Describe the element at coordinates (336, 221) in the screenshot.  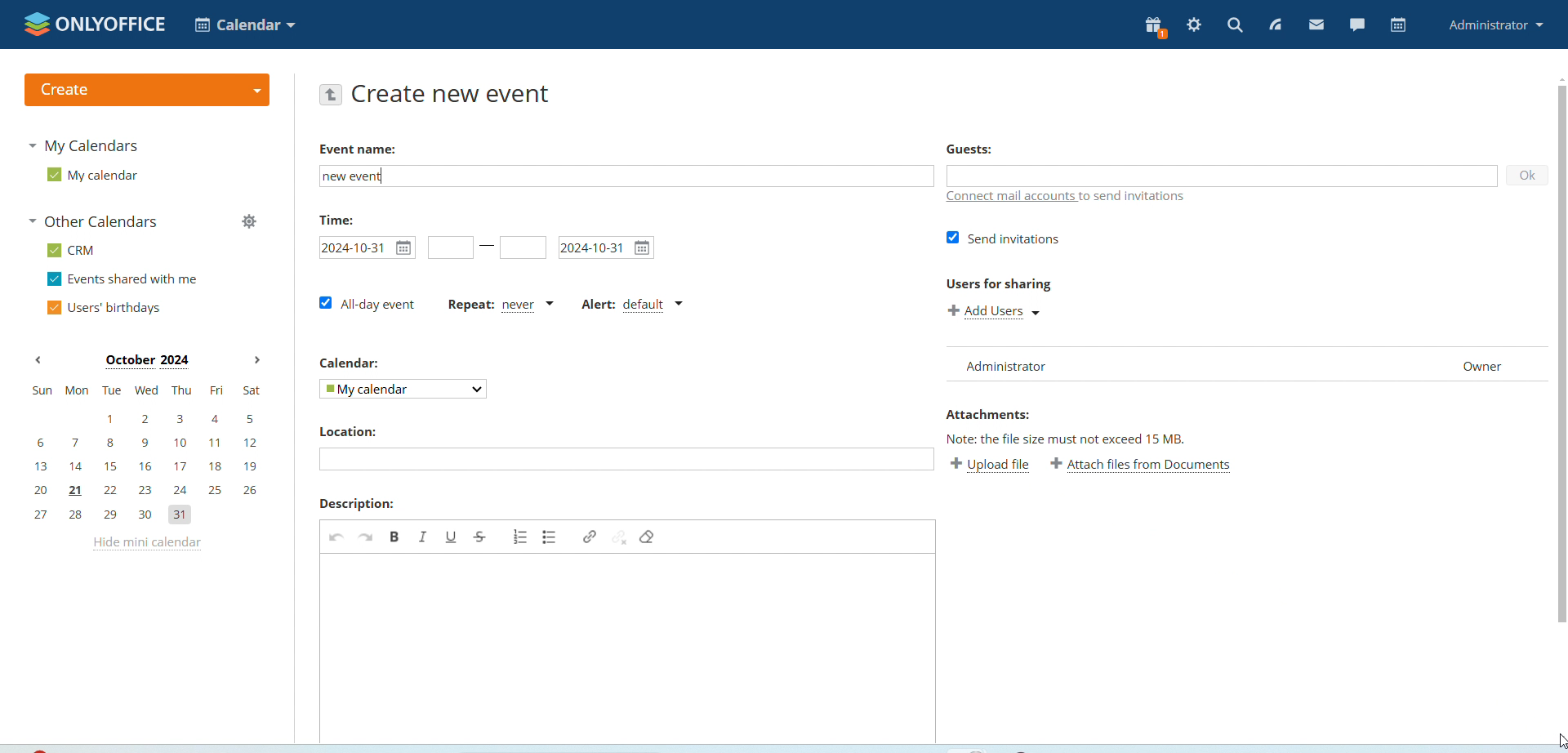
I see `Time` at that location.